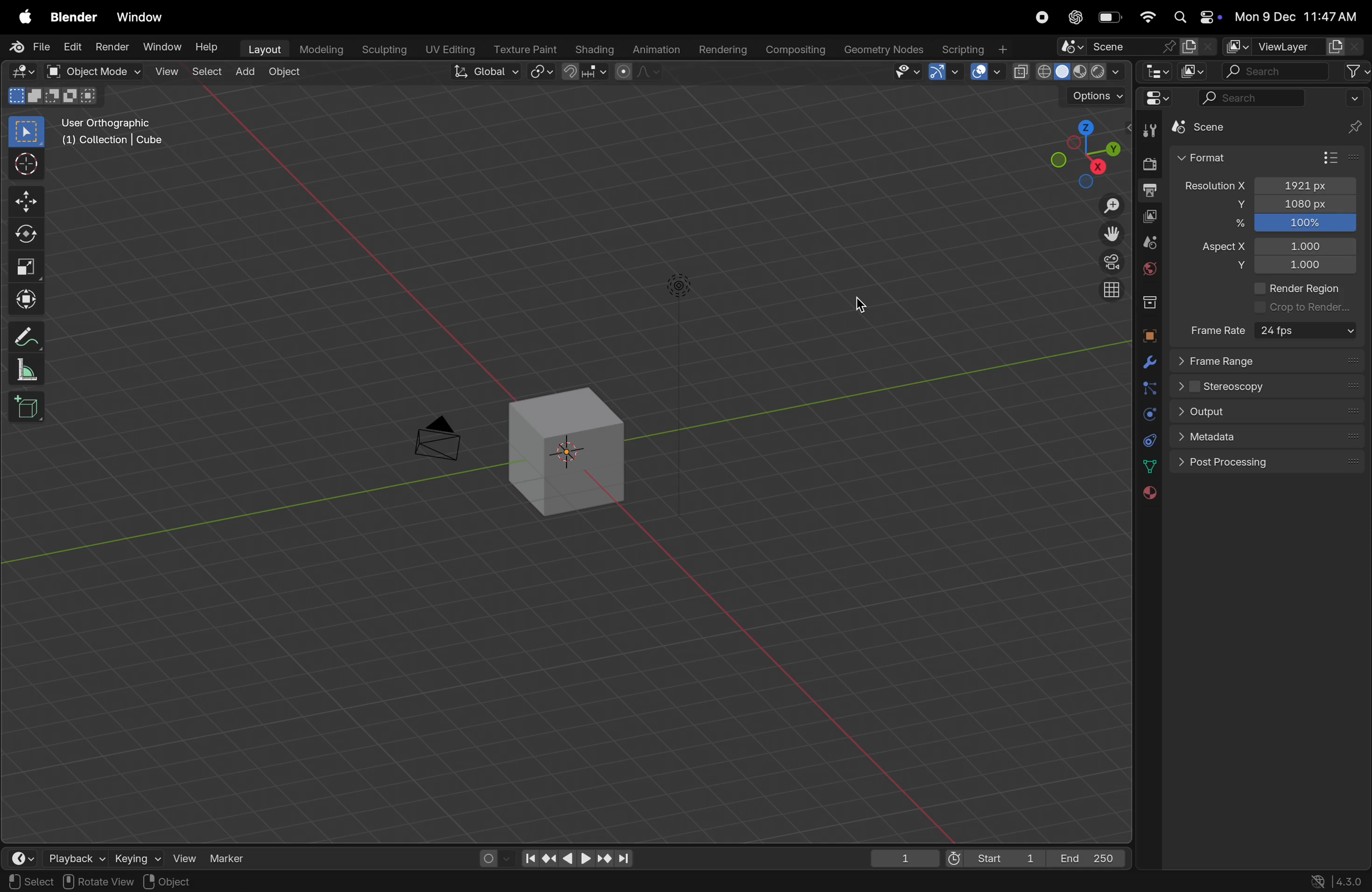  I want to click on %, so click(1234, 226).